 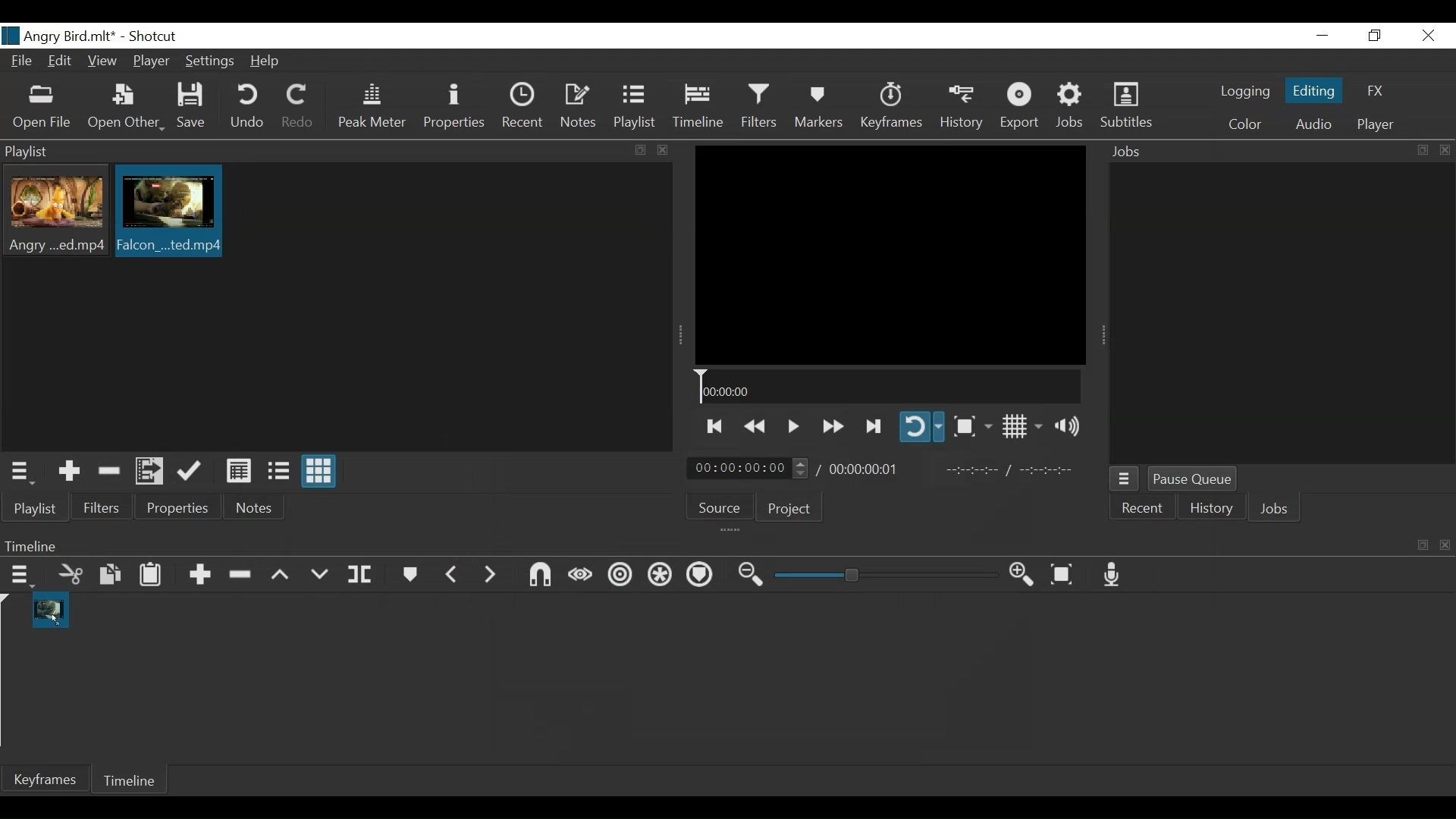 What do you see at coordinates (11, 36) in the screenshot?
I see `logo` at bounding box center [11, 36].